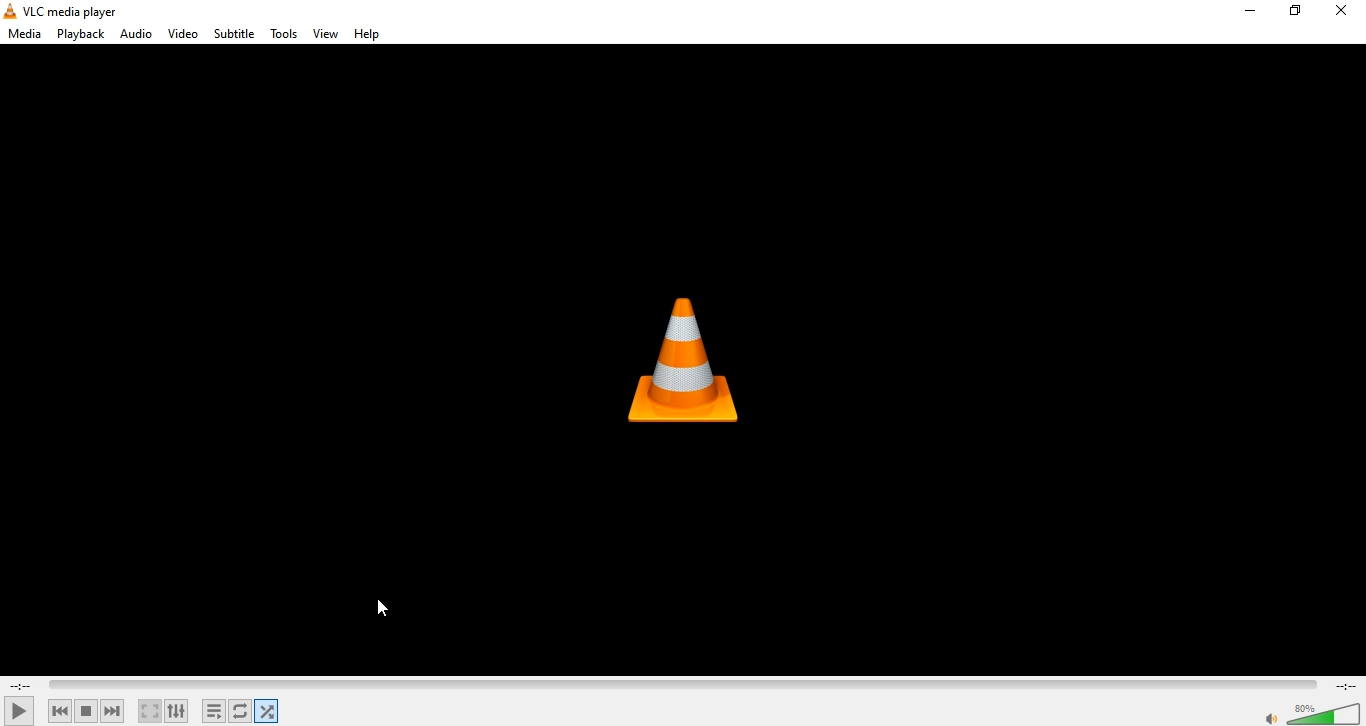 This screenshot has height=726, width=1366. What do you see at coordinates (1324, 710) in the screenshot?
I see `volume slider` at bounding box center [1324, 710].